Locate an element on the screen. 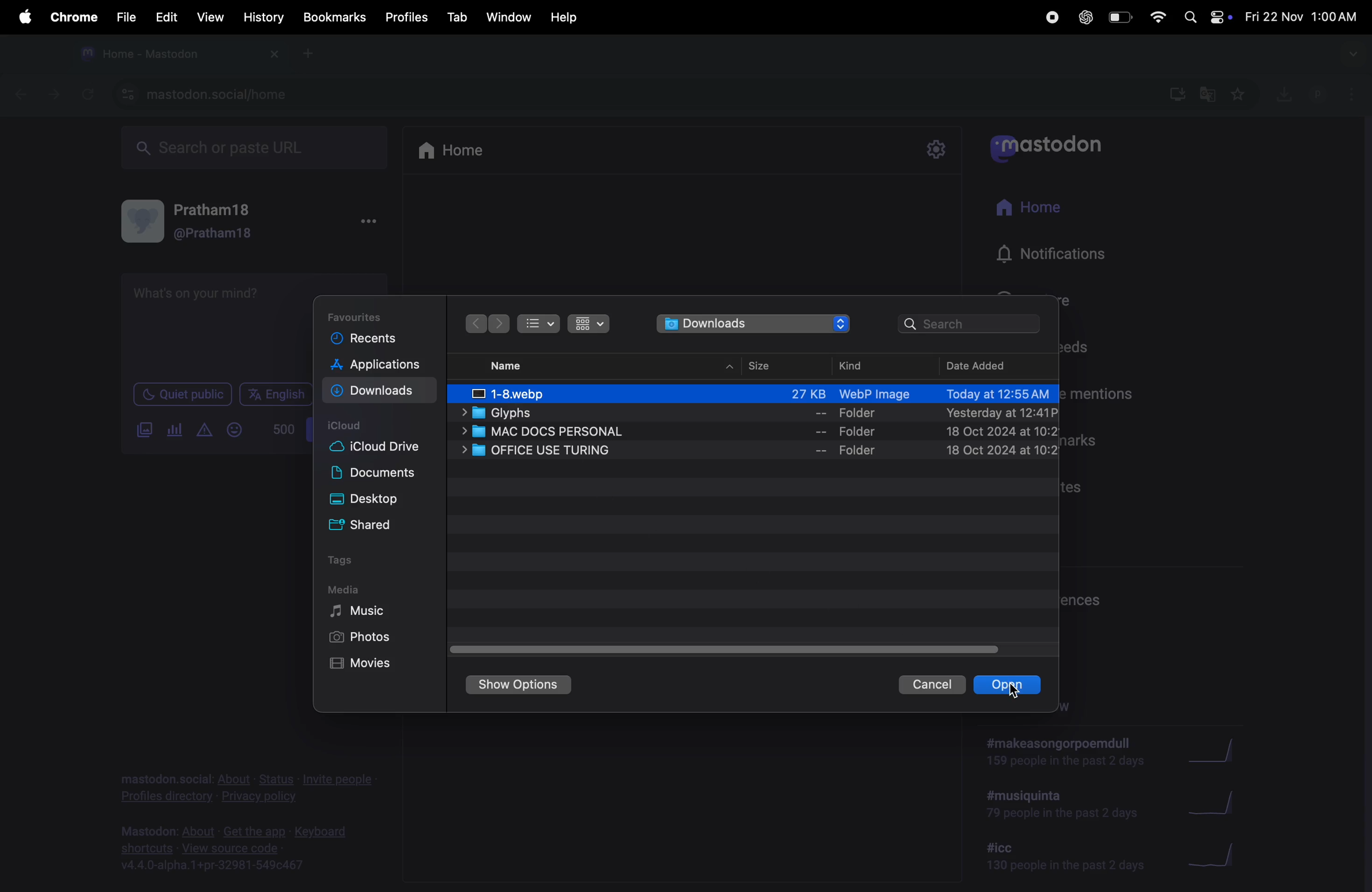 The image size is (1372, 892). view site information is located at coordinates (124, 96).